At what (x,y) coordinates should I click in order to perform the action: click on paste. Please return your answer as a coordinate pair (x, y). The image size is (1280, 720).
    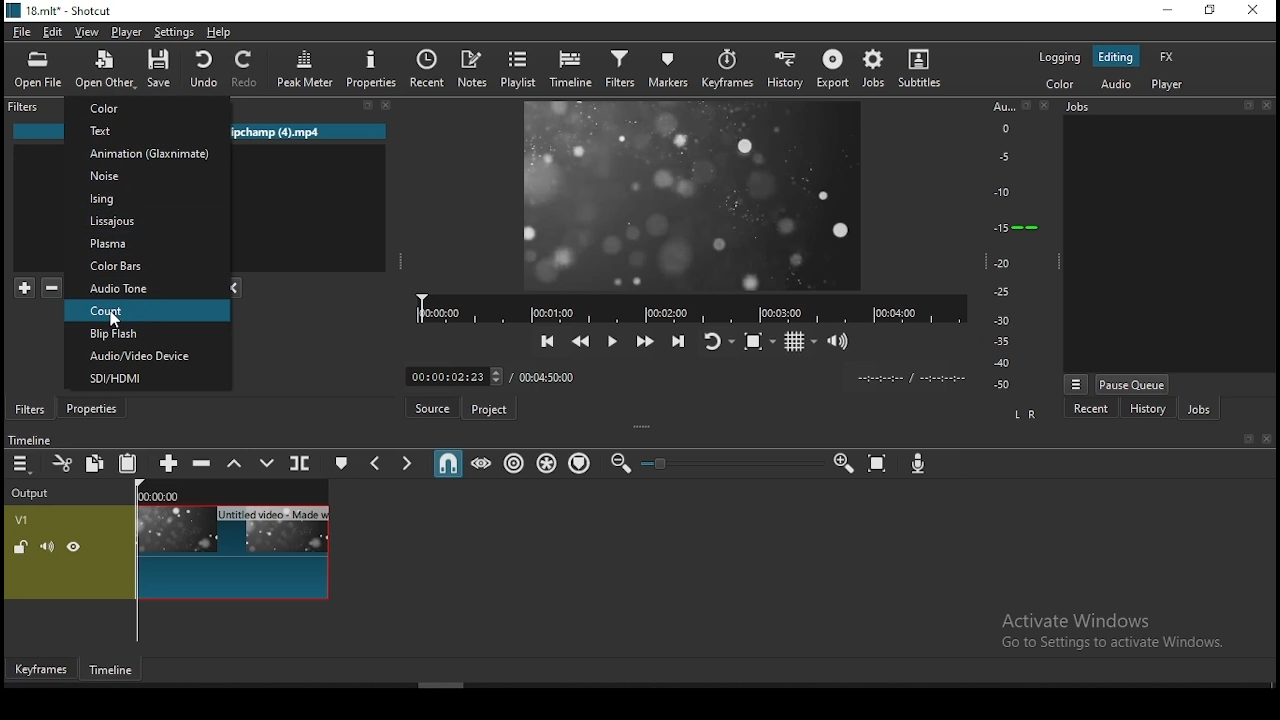
    Looking at the image, I should click on (127, 463).